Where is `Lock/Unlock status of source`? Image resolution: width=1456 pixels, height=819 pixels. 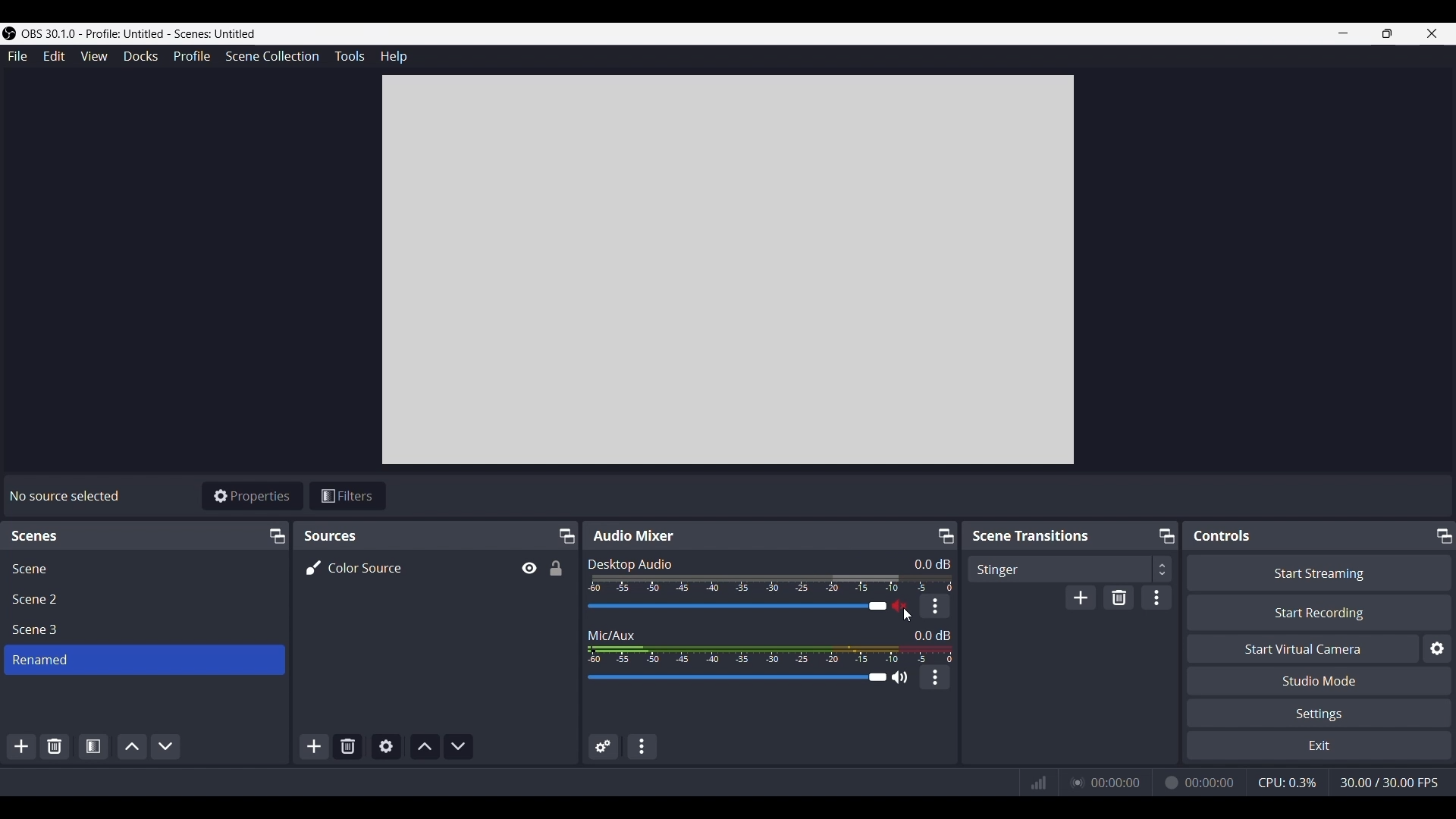 Lock/Unlock status of source is located at coordinates (555, 568).